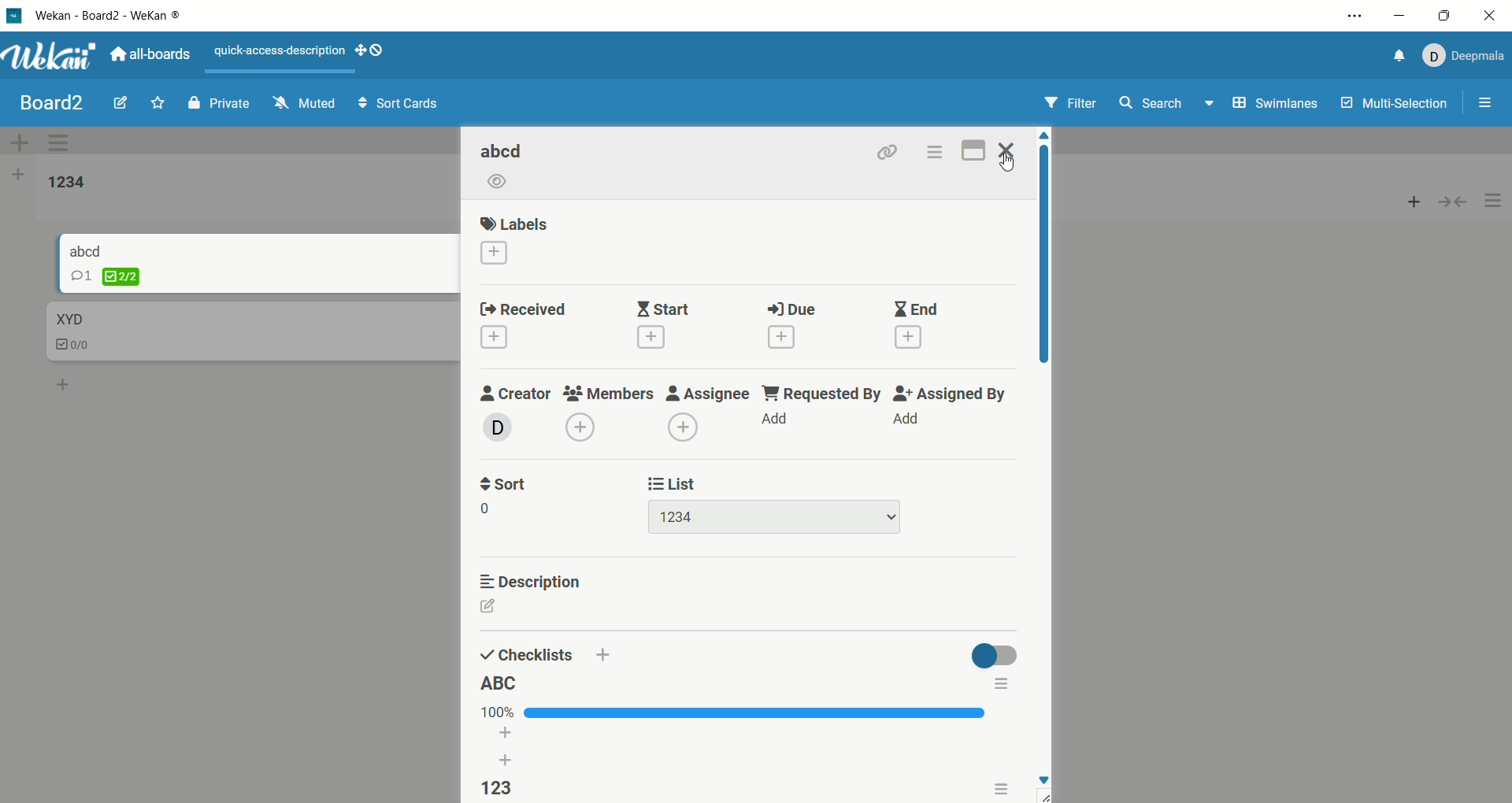 The height and width of the screenshot is (803, 1512). Describe the element at coordinates (791, 317) in the screenshot. I see `due` at that location.